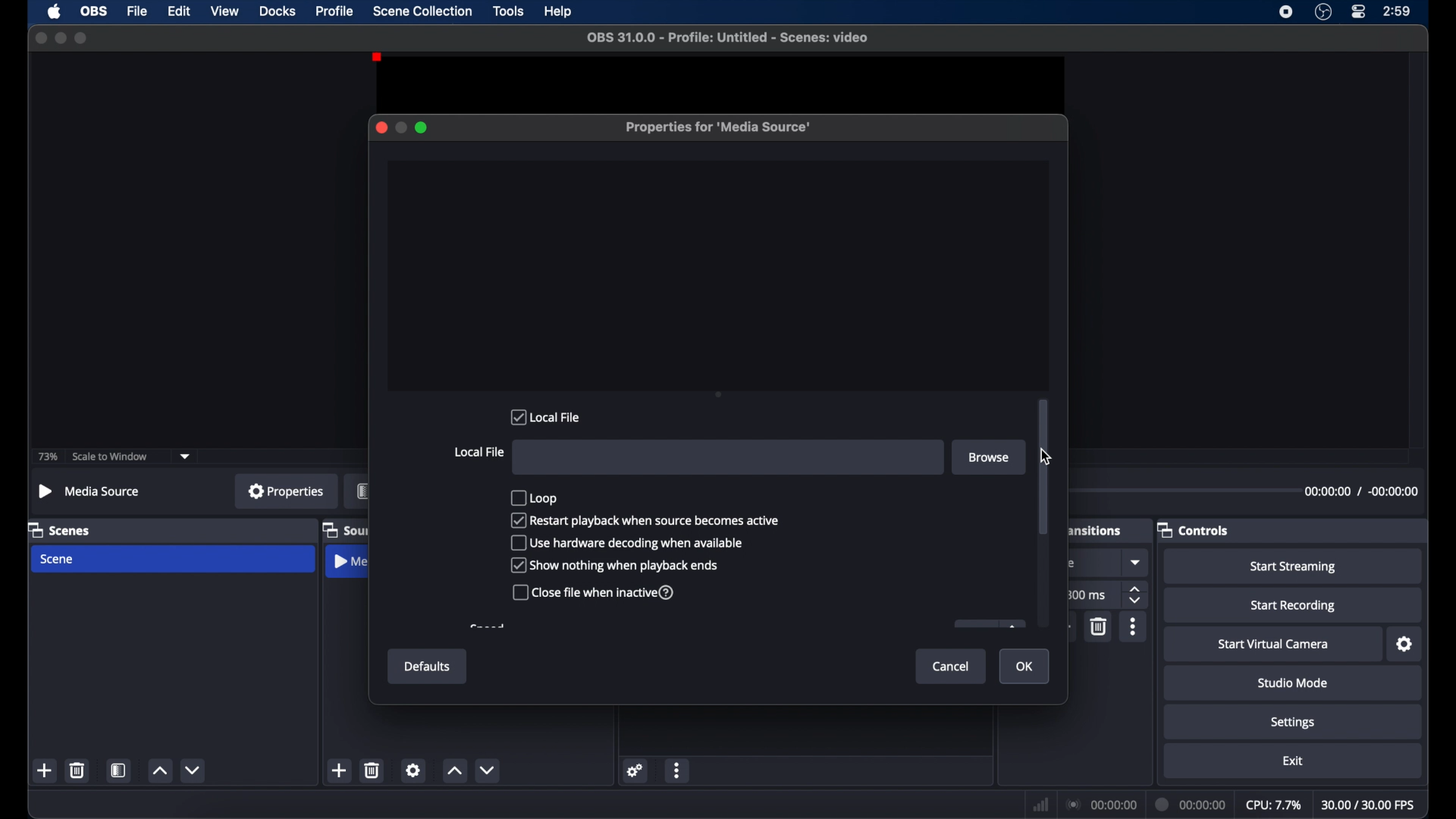 The image size is (1456, 819). What do you see at coordinates (1294, 566) in the screenshot?
I see `start streaming` at bounding box center [1294, 566].